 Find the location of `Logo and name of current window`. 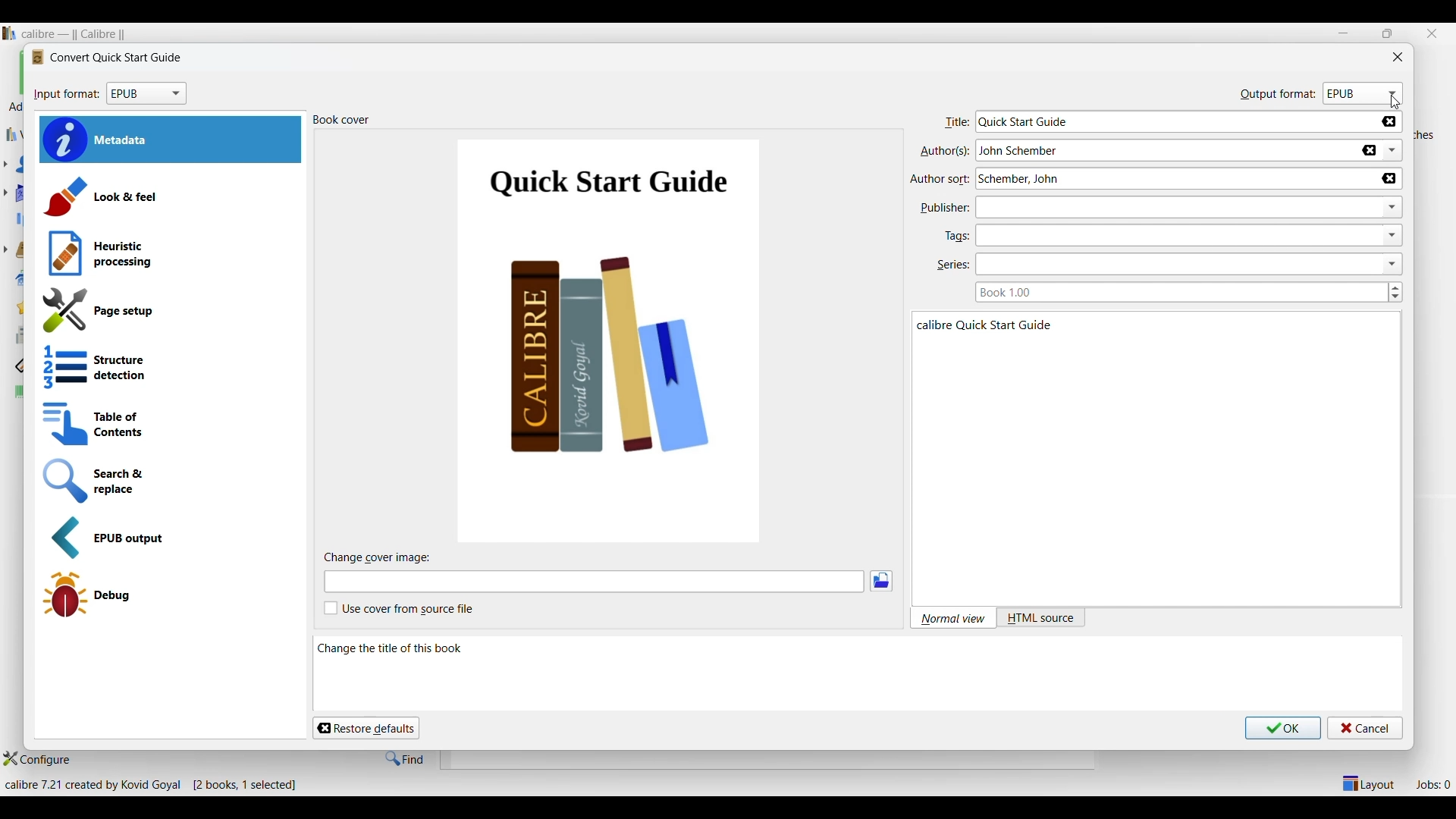

Logo and name of current window is located at coordinates (106, 58).